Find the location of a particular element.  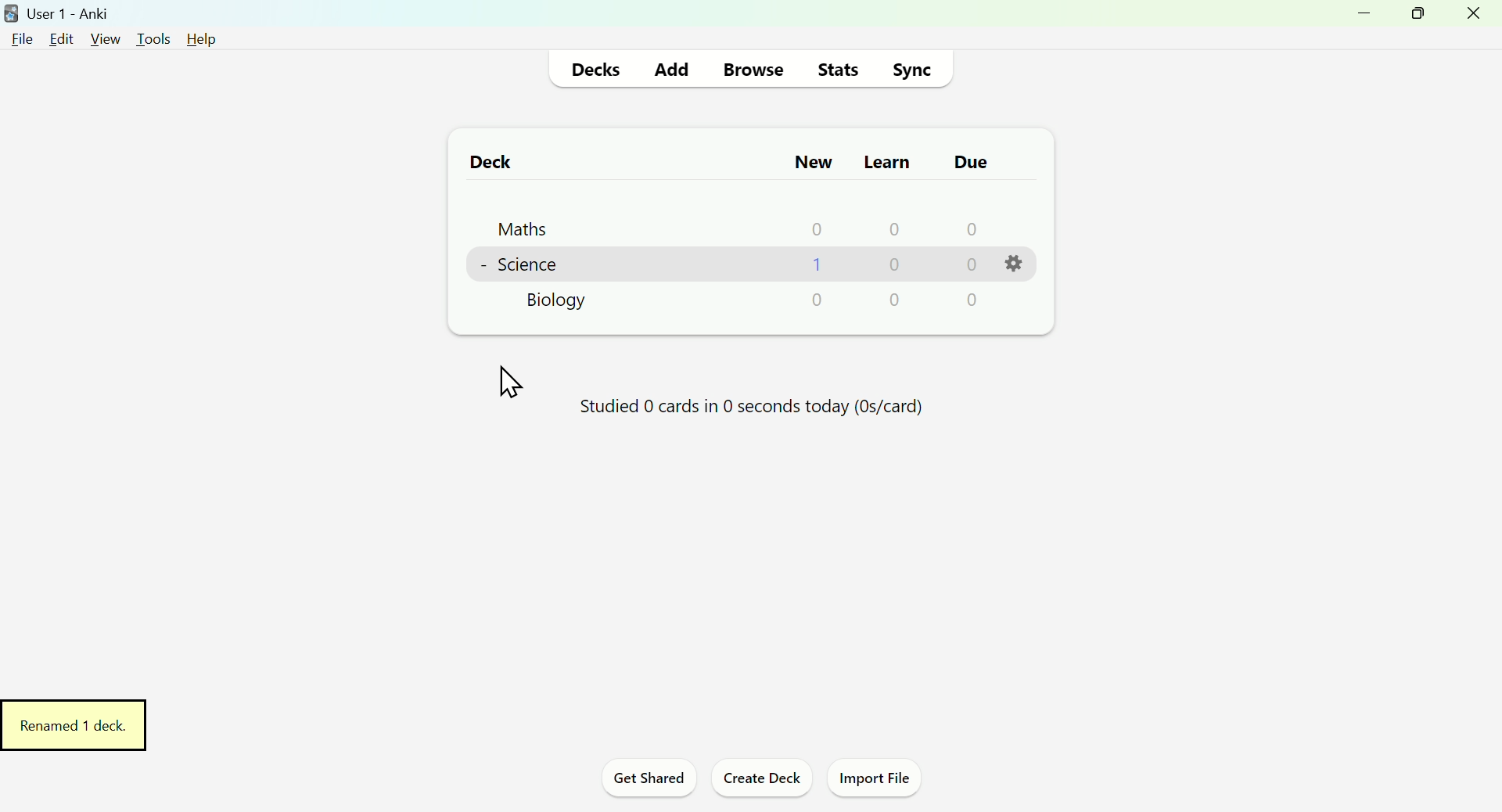

Import File is located at coordinates (881, 781).